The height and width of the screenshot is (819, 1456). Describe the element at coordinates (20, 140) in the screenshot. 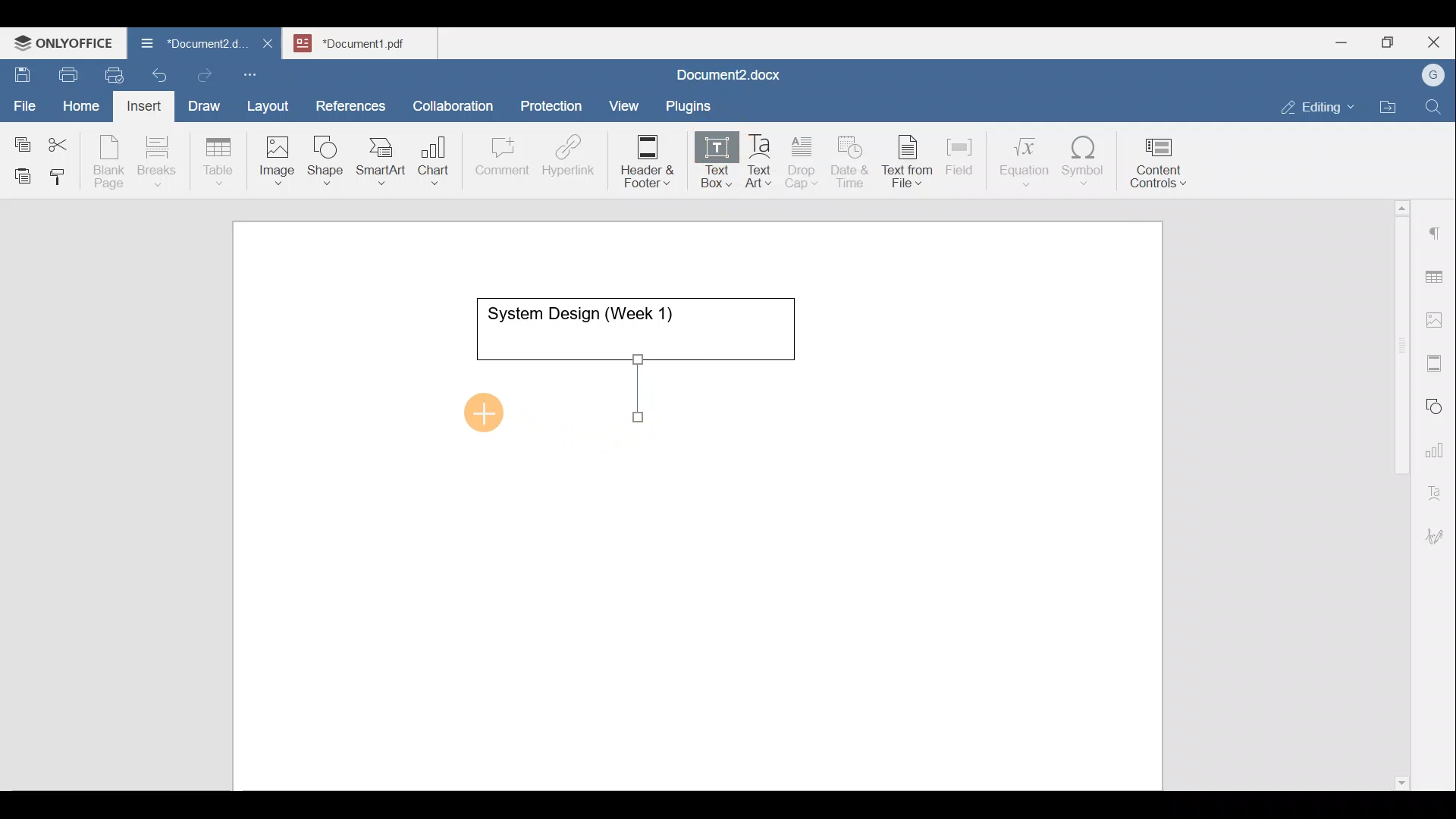

I see `Copy` at that location.